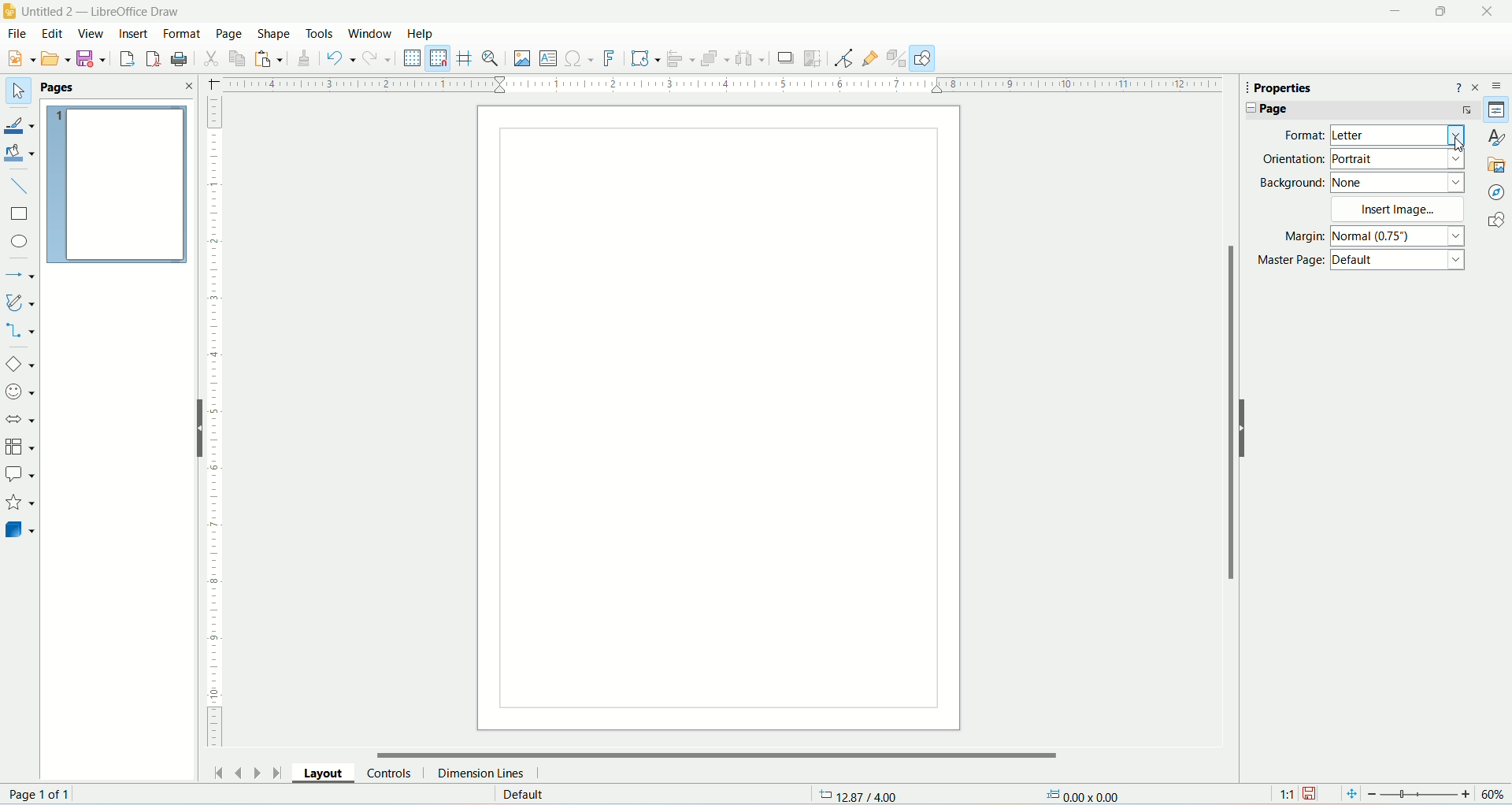 The image size is (1512, 805). I want to click on go to first page, so click(220, 772).